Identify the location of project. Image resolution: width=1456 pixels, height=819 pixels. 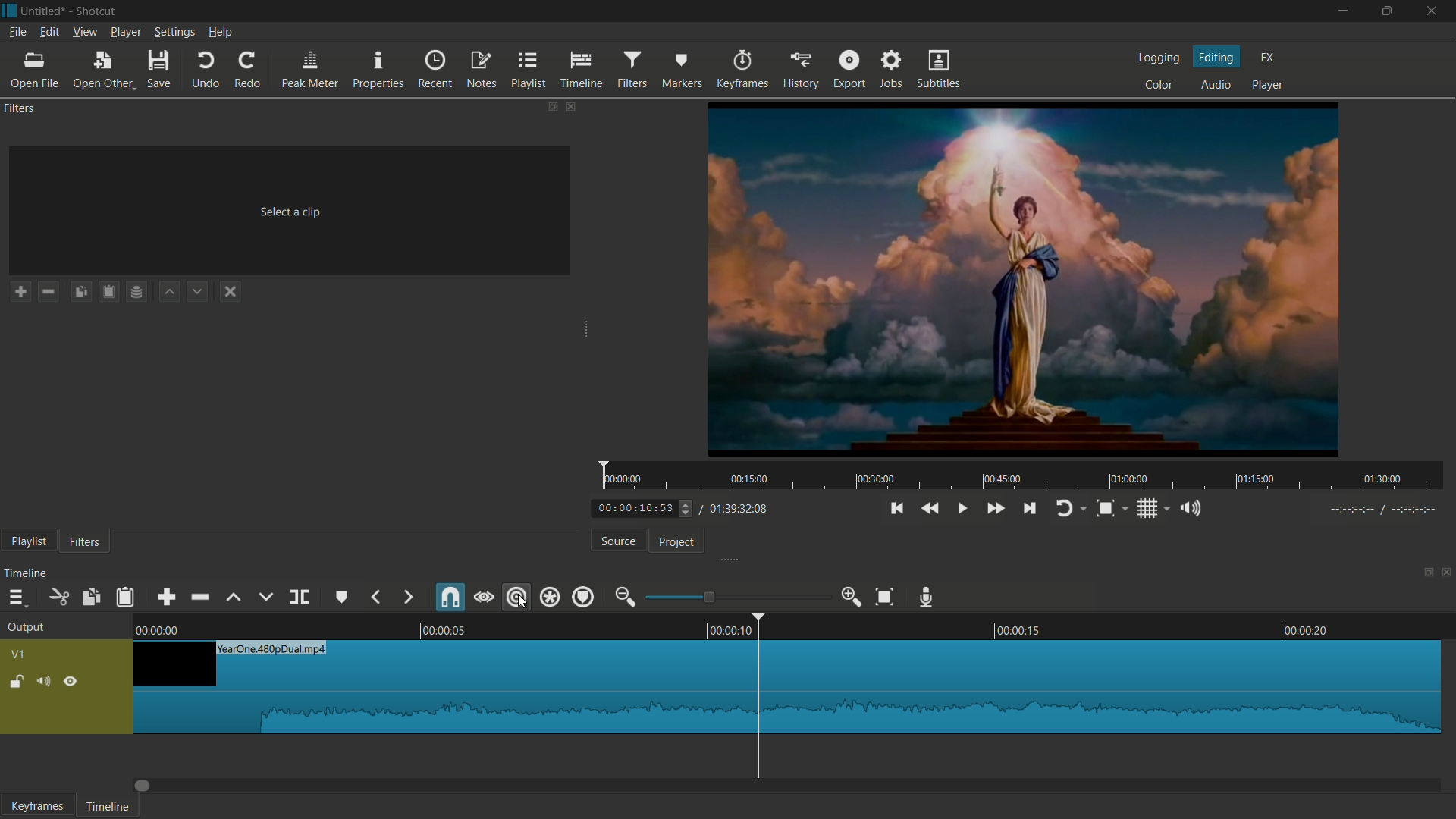
(677, 542).